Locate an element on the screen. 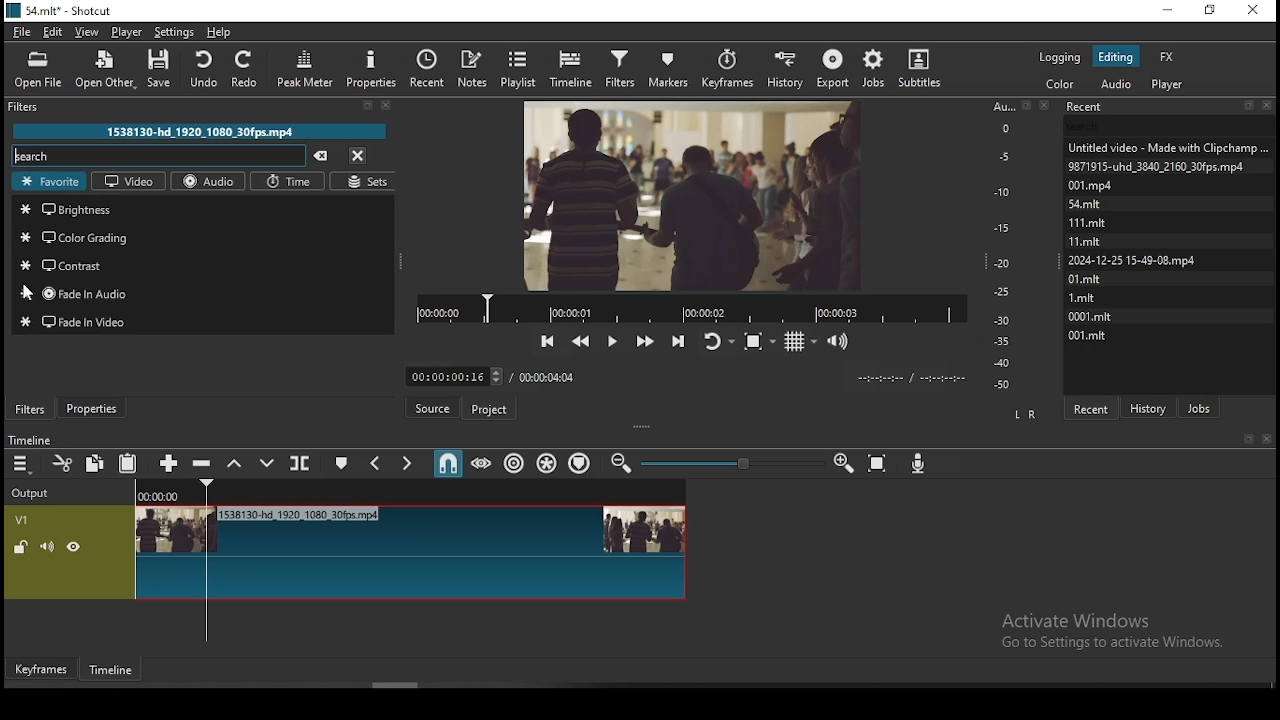  recent is located at coordinates (1090, 408).